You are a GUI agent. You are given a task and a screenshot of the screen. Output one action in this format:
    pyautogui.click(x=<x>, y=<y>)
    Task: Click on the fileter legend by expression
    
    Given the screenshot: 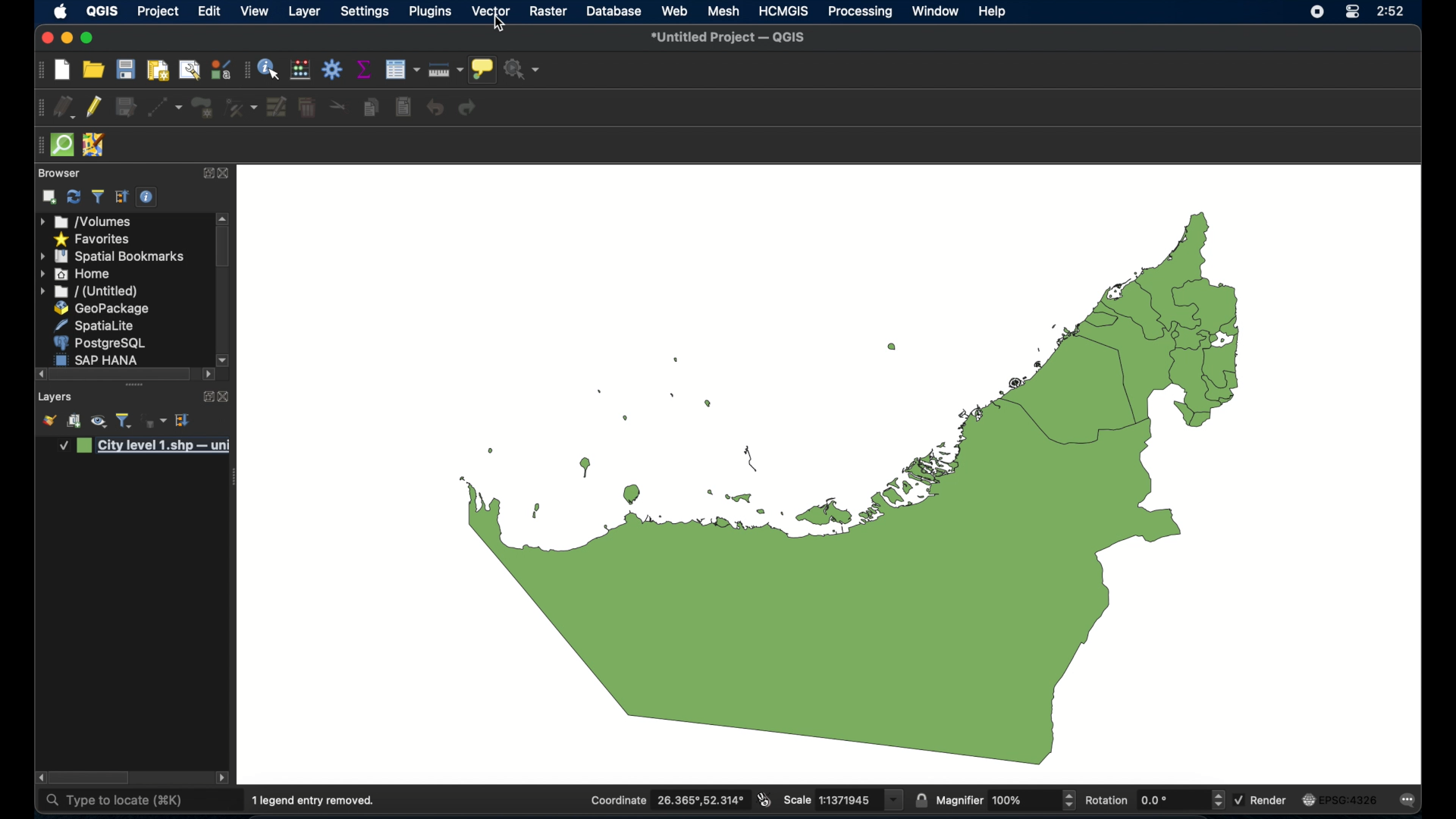 What is the action you would take?
    pyautogui.click(x=155, y=422)
    